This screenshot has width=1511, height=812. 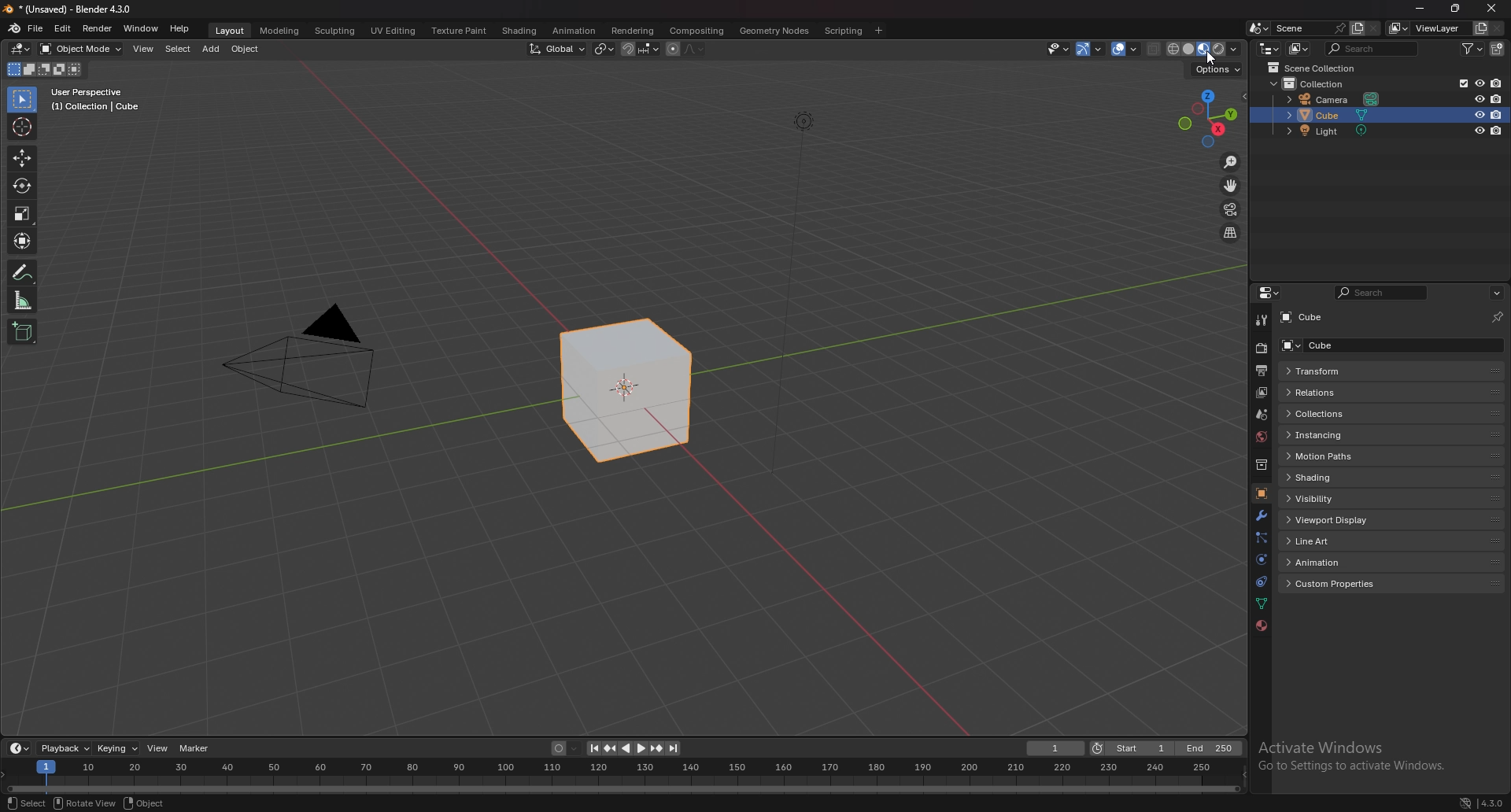 What do you see at coordinates (67, 748) in the screenshot?
I see `playback` at bounding box center [67, 748].